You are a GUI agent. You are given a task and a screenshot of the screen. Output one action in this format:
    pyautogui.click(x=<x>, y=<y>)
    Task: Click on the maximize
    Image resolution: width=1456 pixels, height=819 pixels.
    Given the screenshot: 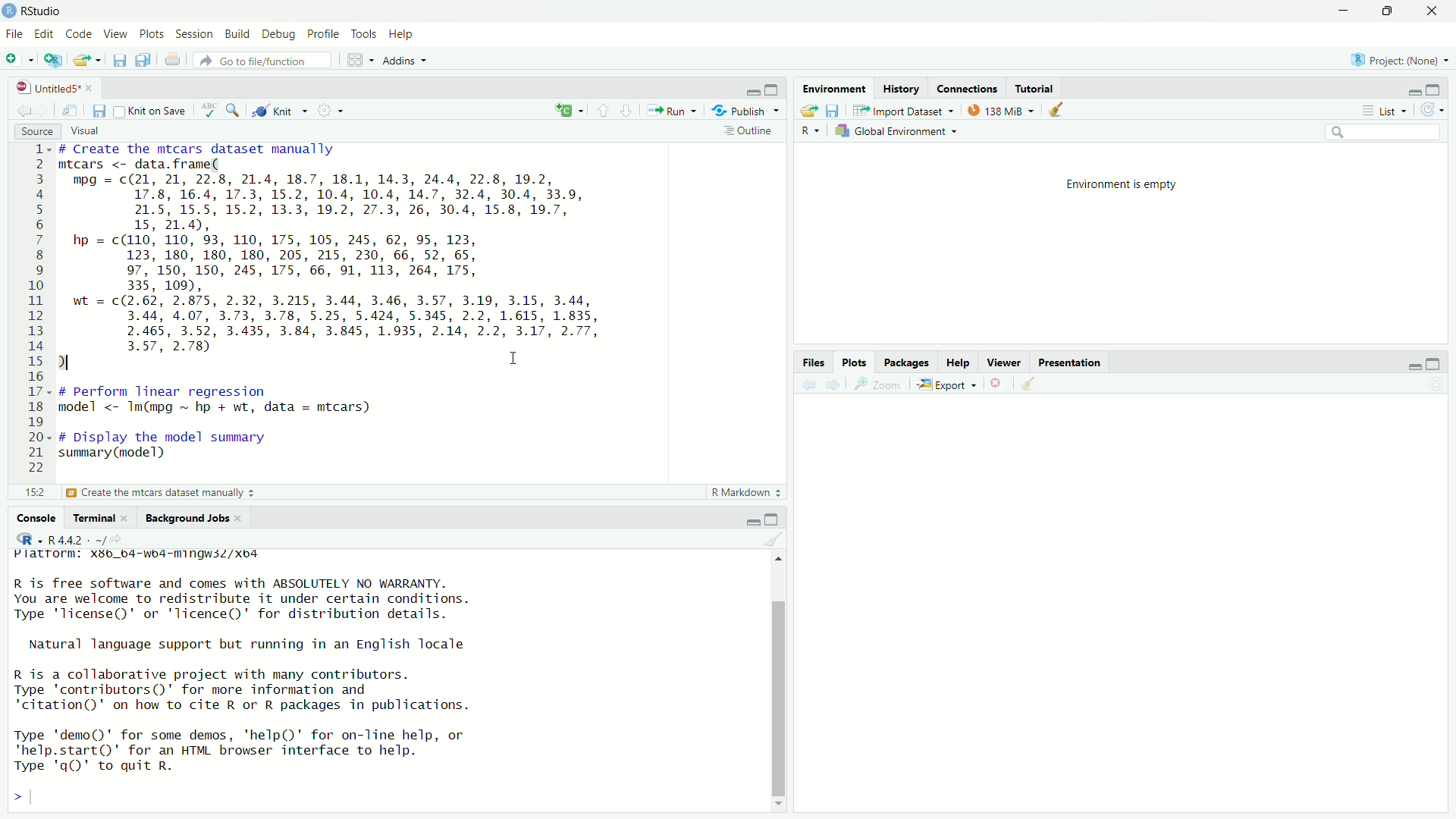 What is the action you would take?
    pyautogui.click(x=1432, y=366)
    